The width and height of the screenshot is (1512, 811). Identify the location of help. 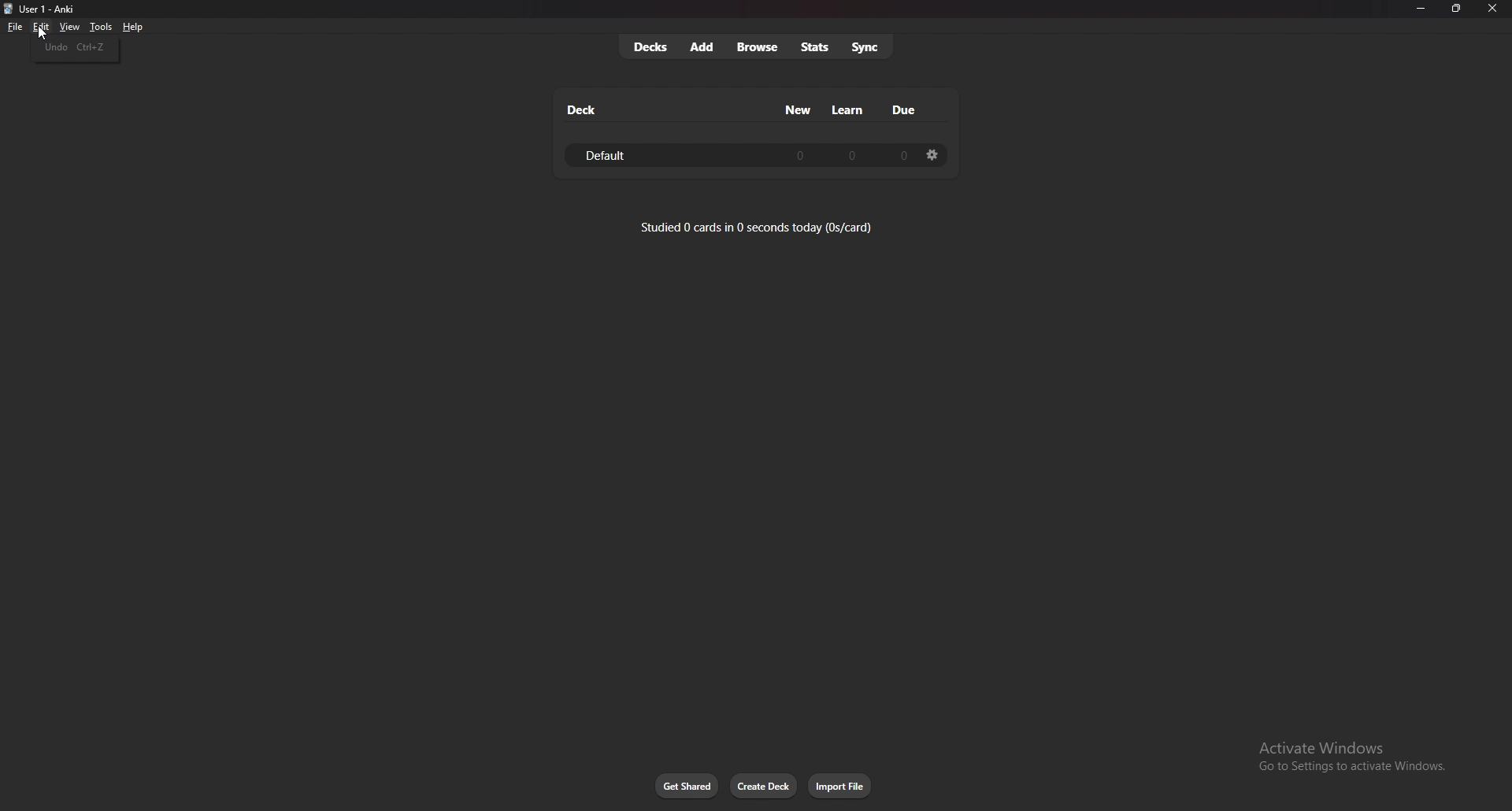
(135, 27).